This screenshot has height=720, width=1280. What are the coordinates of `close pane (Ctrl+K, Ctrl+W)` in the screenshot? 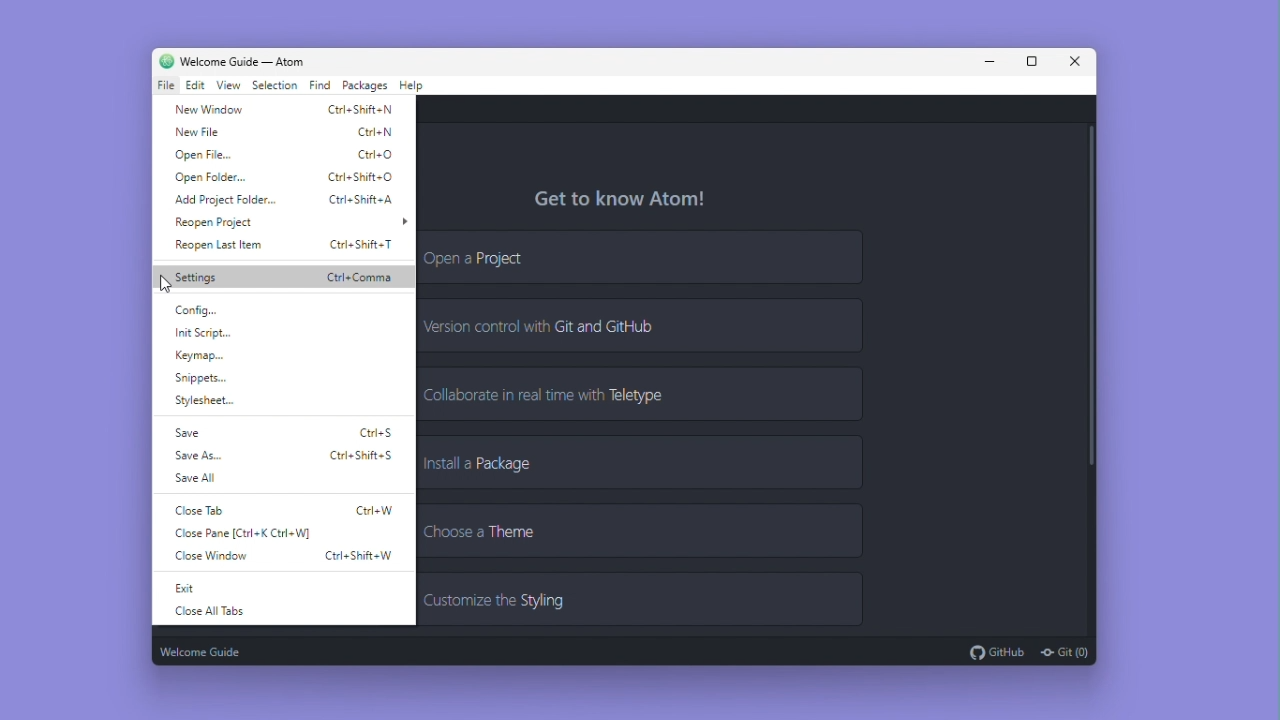 It's located at (248, 533).